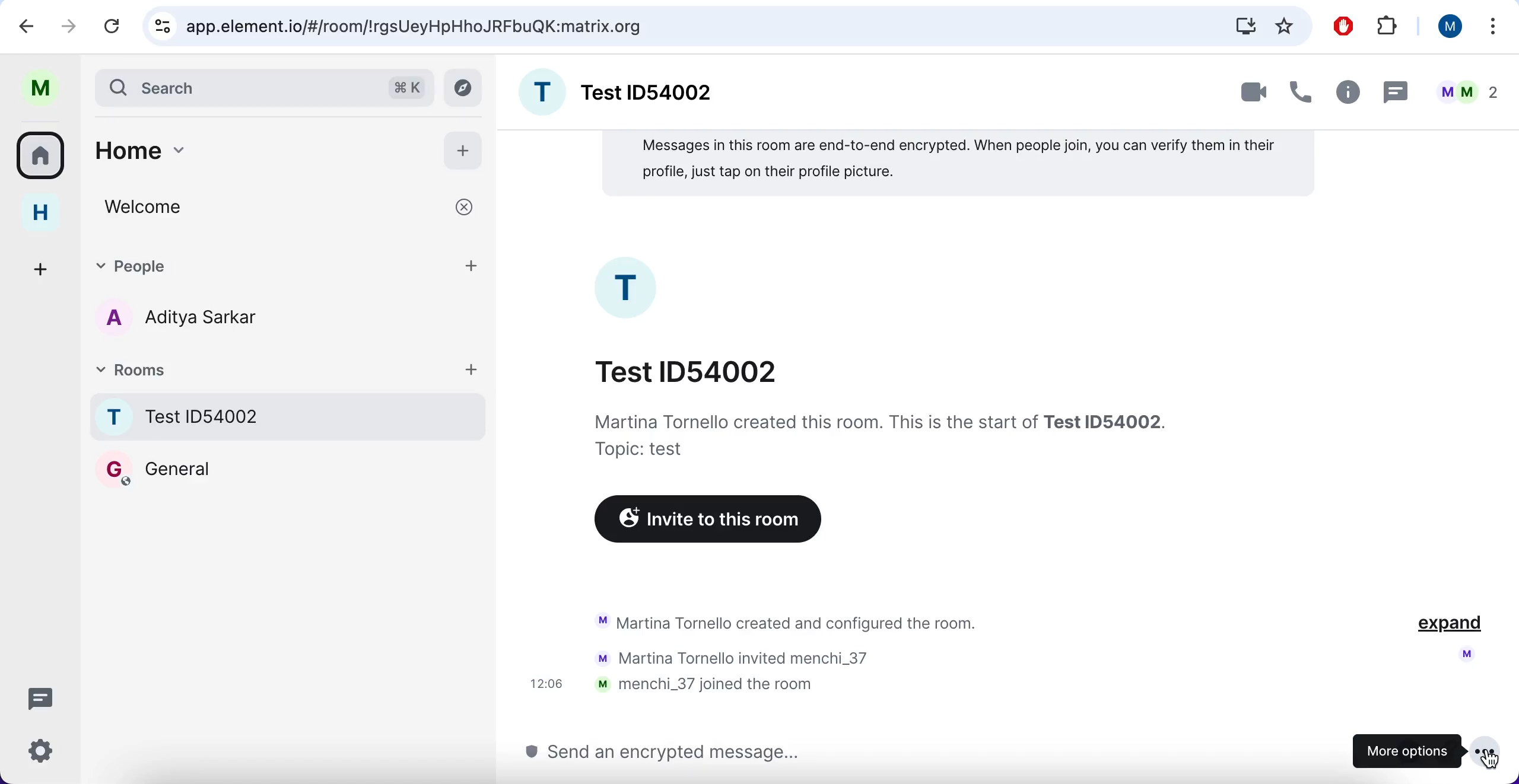 The height and width of the screenshot is (784, 1519). Describe the element at coordinates (290, 416) in the screenshot. I see `room name` at that location.